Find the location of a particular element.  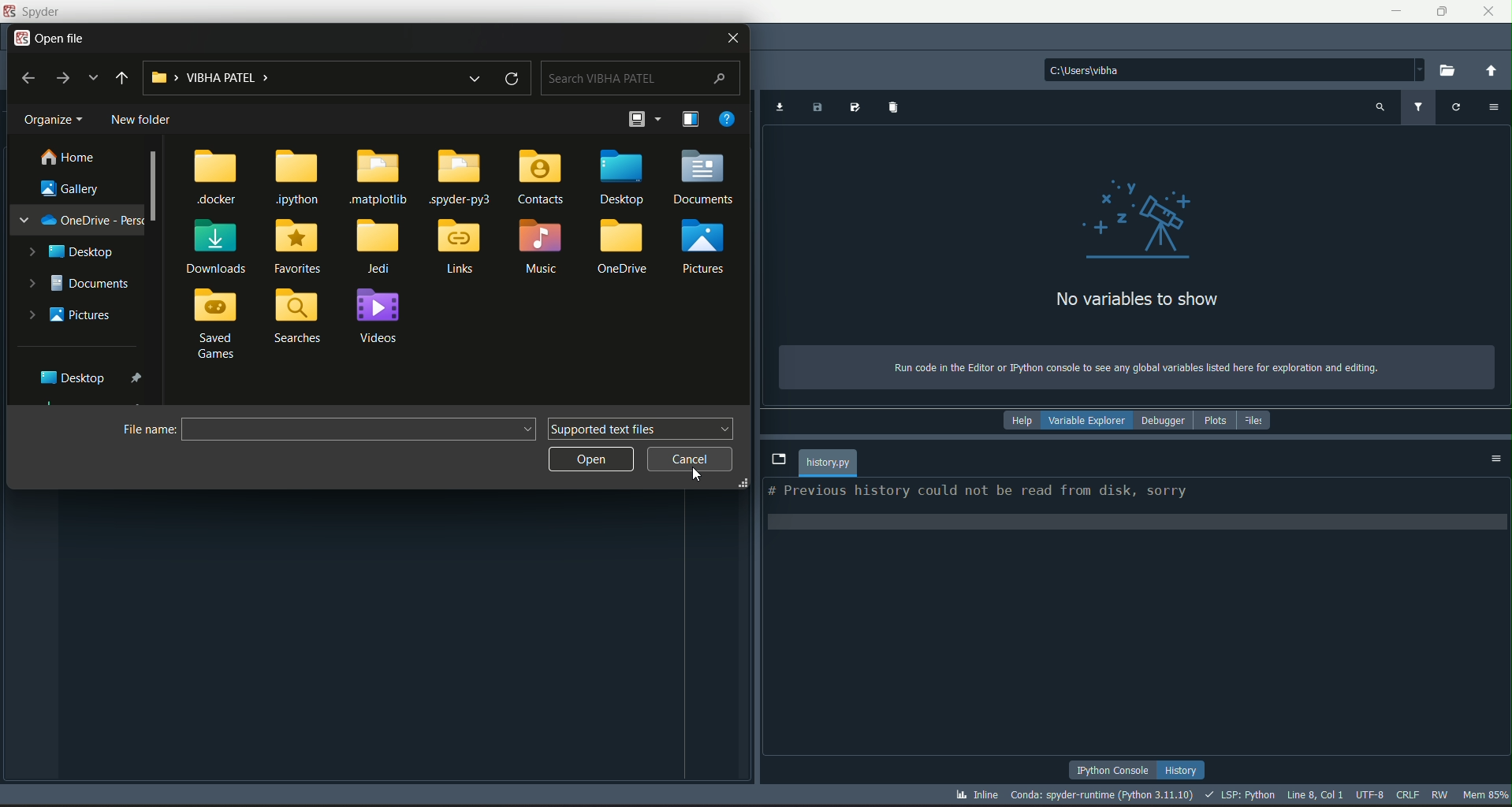

.spyder-py3 is located at coordinates (463, 177).